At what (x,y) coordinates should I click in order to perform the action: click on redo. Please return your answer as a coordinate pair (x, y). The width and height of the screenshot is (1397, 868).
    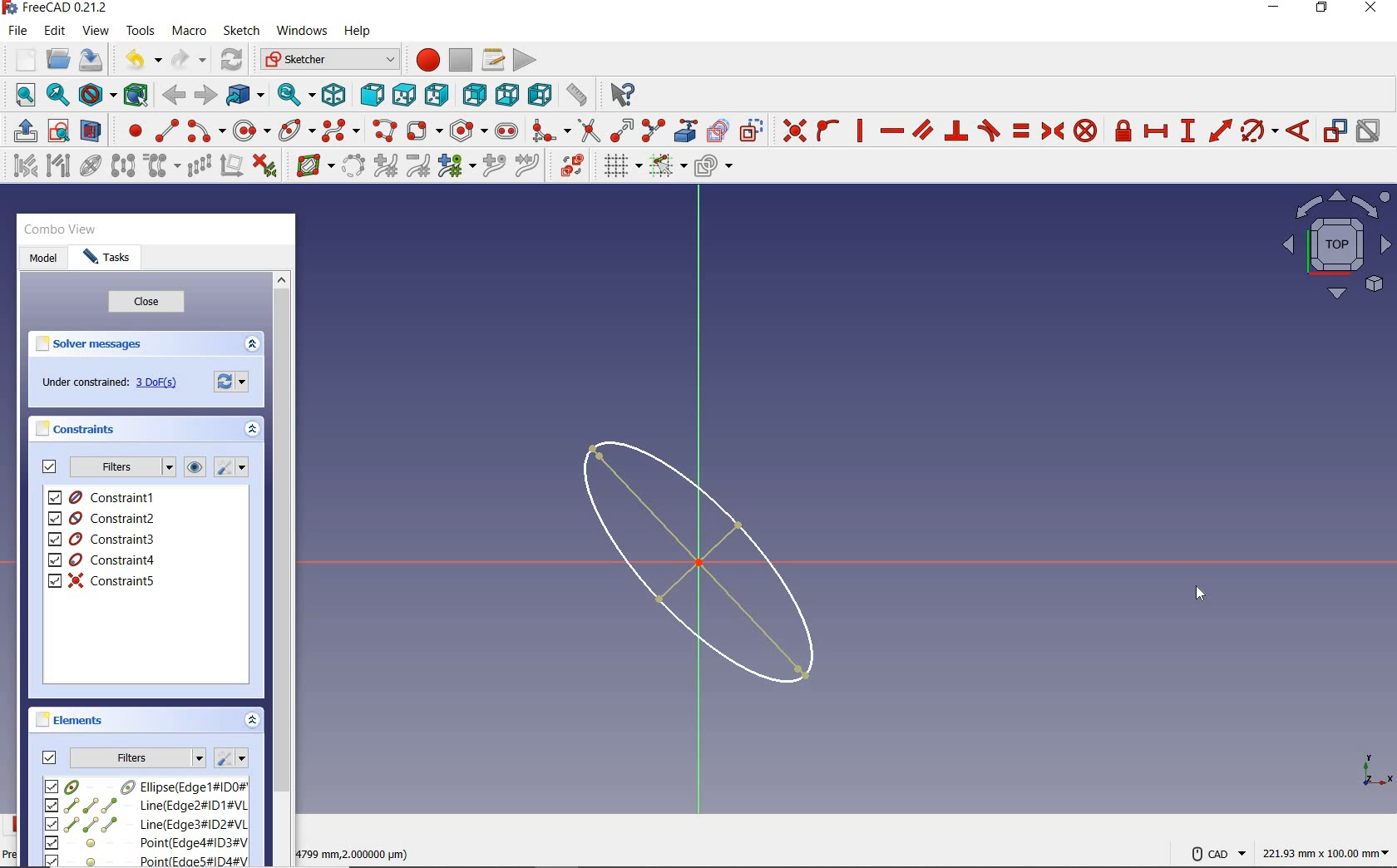
    Looking at the image, I should click on (189, 59).